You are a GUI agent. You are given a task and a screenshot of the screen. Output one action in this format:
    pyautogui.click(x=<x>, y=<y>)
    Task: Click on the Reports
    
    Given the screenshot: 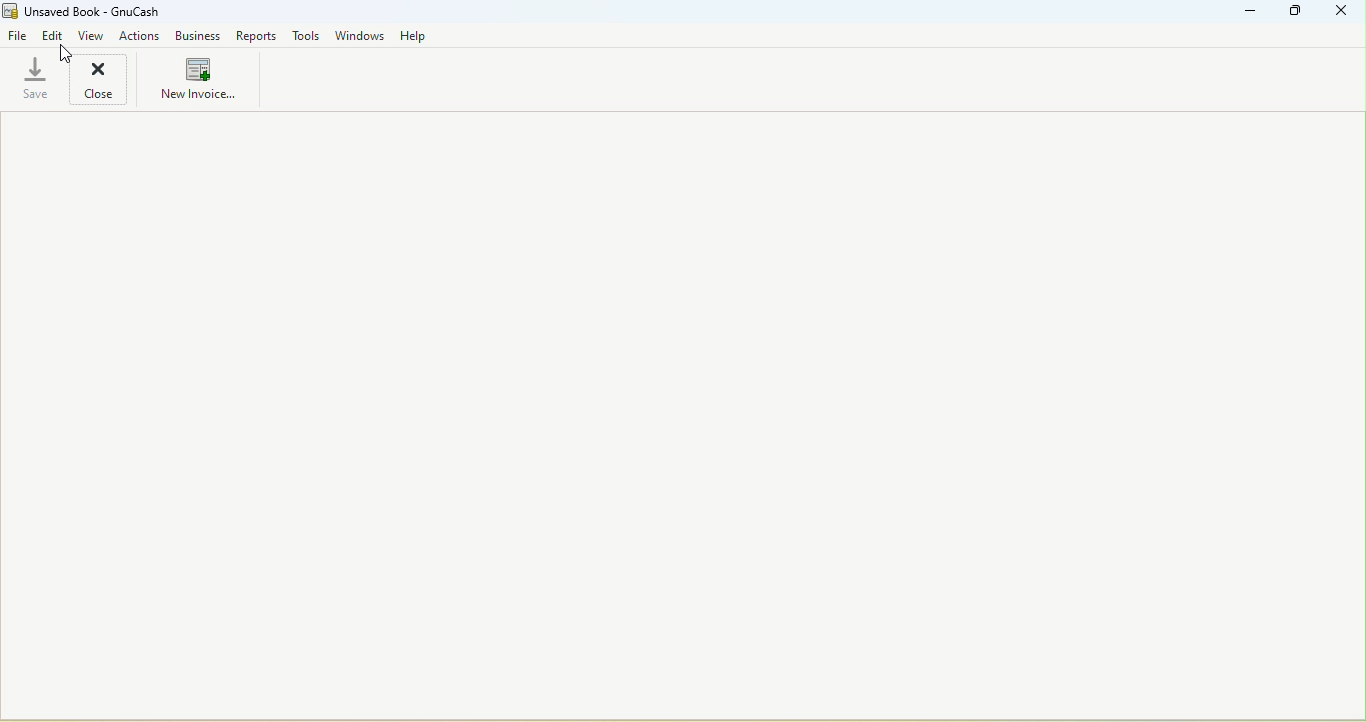 What is the action you would take?
    pyautogui.click(x=255, y=36)
    